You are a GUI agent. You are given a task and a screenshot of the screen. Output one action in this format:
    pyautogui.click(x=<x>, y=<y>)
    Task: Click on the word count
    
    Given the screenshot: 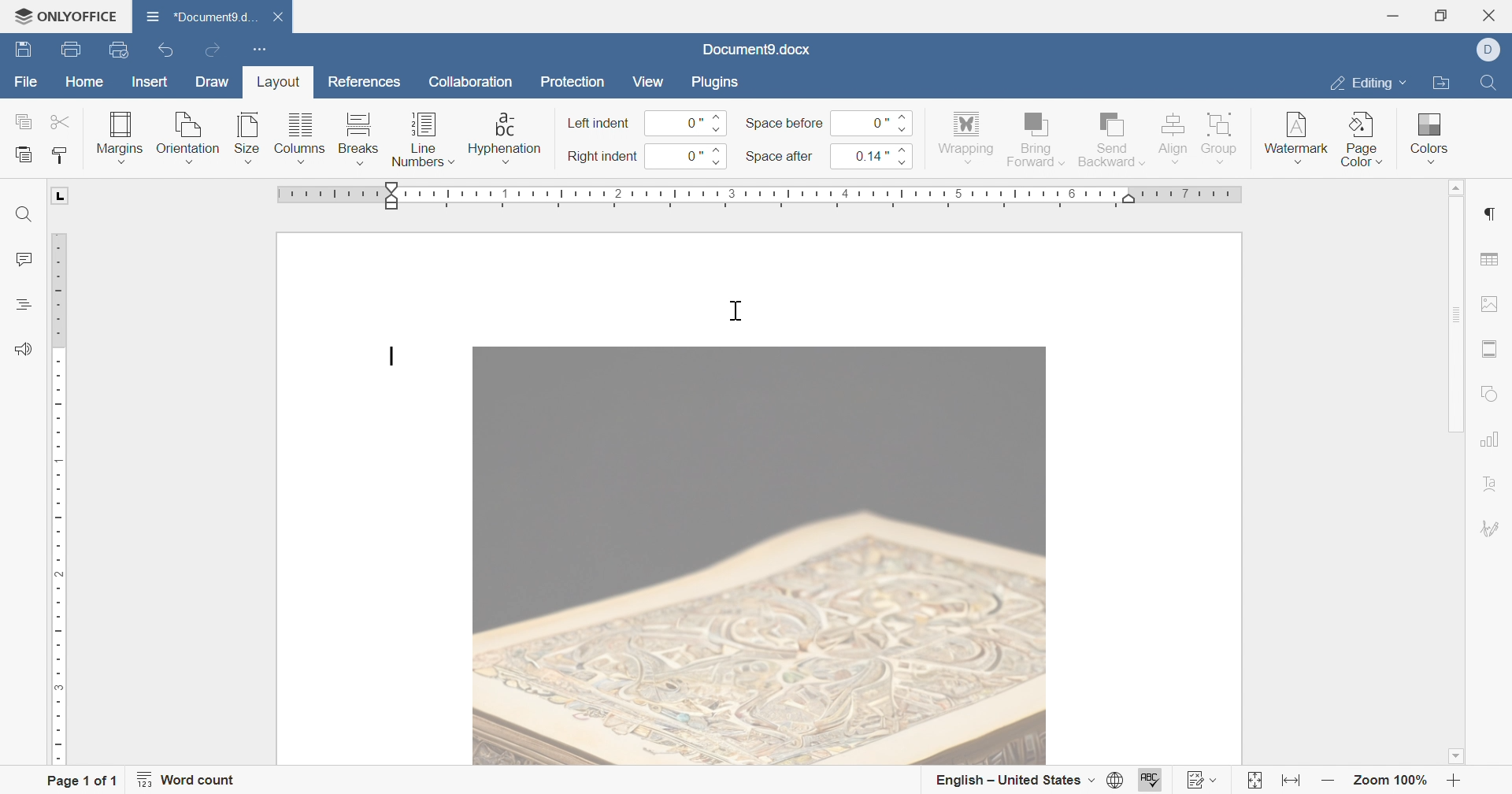 What is the action you would take?
    pyautogui.click(x=187, y=780)
    